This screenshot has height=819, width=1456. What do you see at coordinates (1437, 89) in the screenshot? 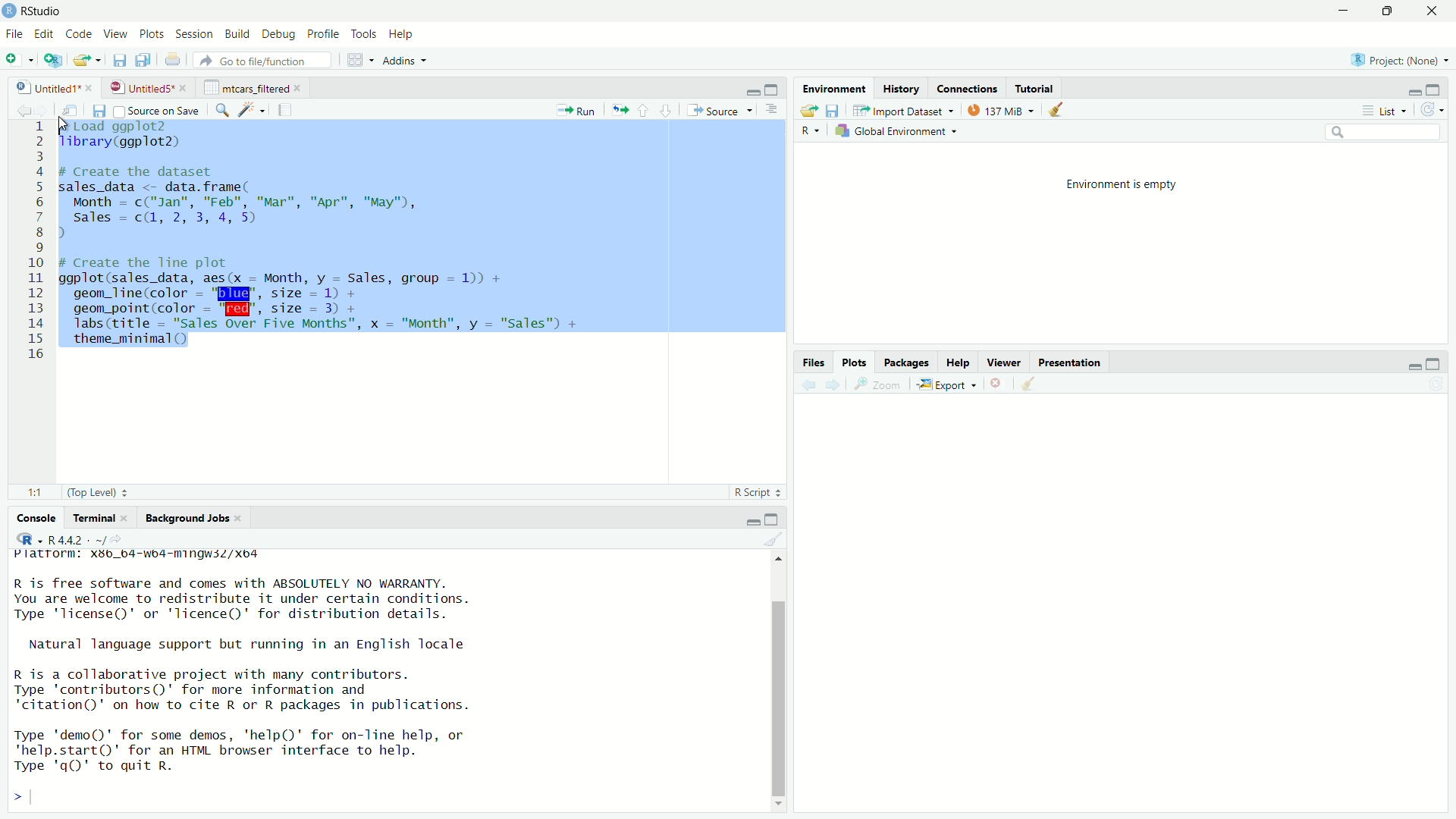
I see `maximize` at bounding box center [1437, 89].